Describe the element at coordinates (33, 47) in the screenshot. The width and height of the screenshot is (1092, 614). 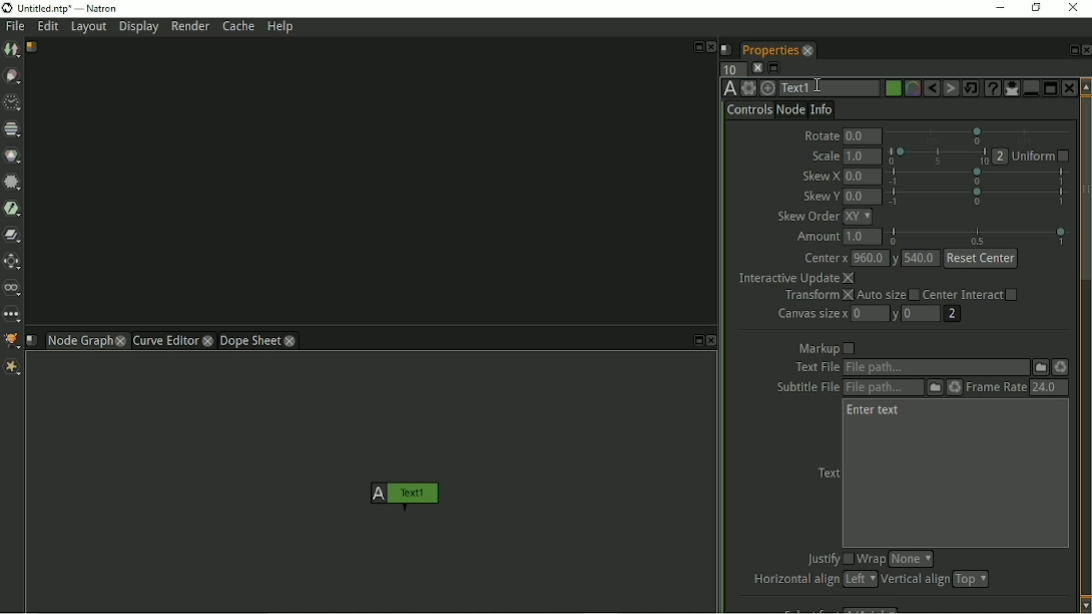
I see `Script name` at that location.